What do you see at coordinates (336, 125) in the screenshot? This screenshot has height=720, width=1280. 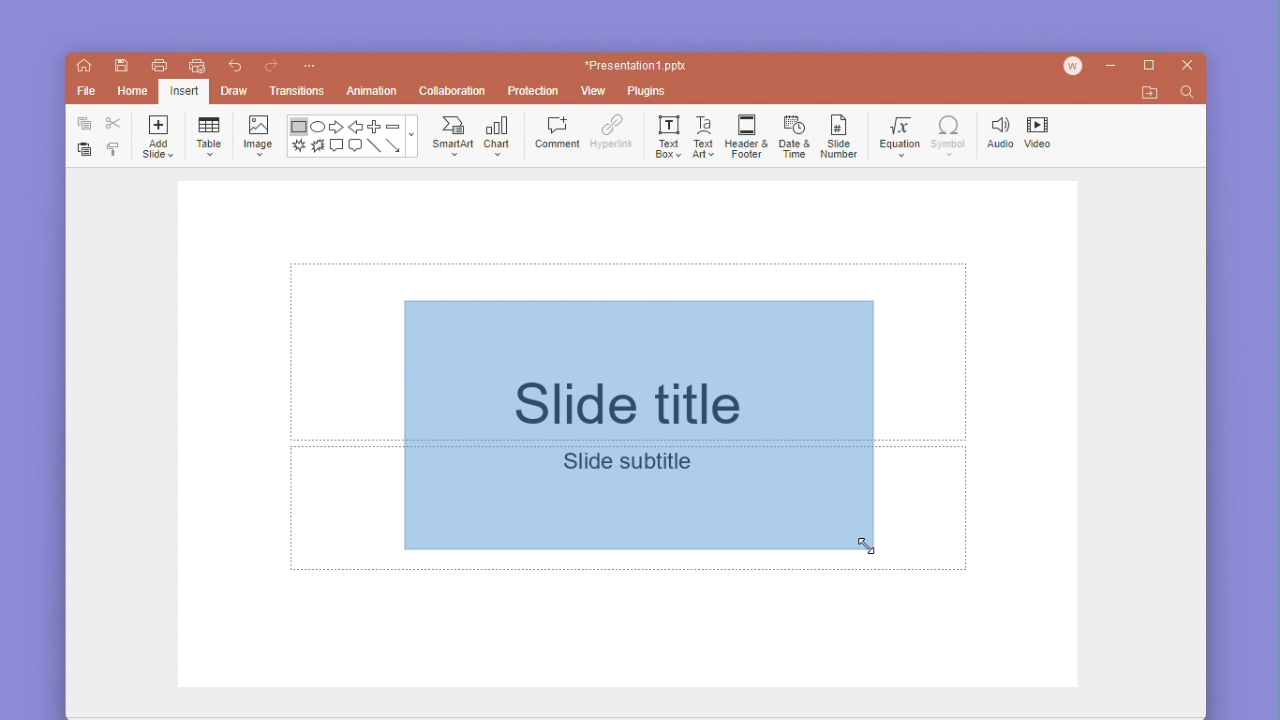 I see `forward arrow` at bounding box center [336, 125].